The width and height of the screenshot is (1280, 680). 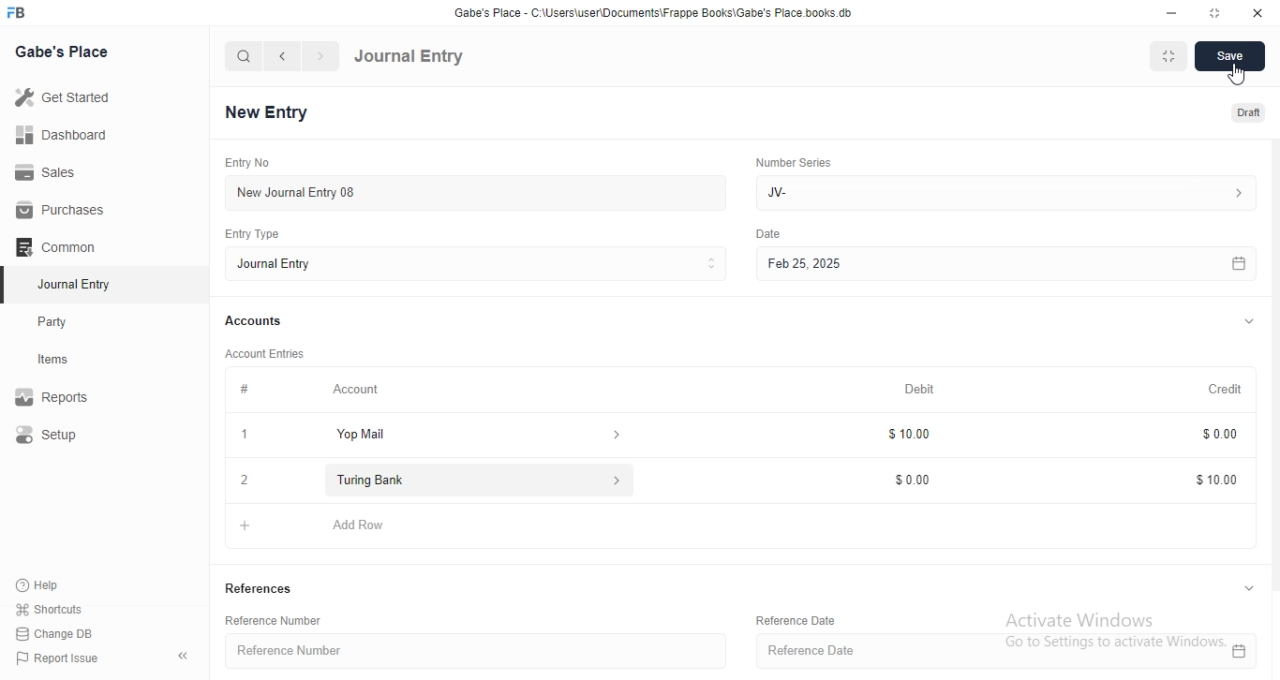 I want to click on Help, so click(x=63, y=584).